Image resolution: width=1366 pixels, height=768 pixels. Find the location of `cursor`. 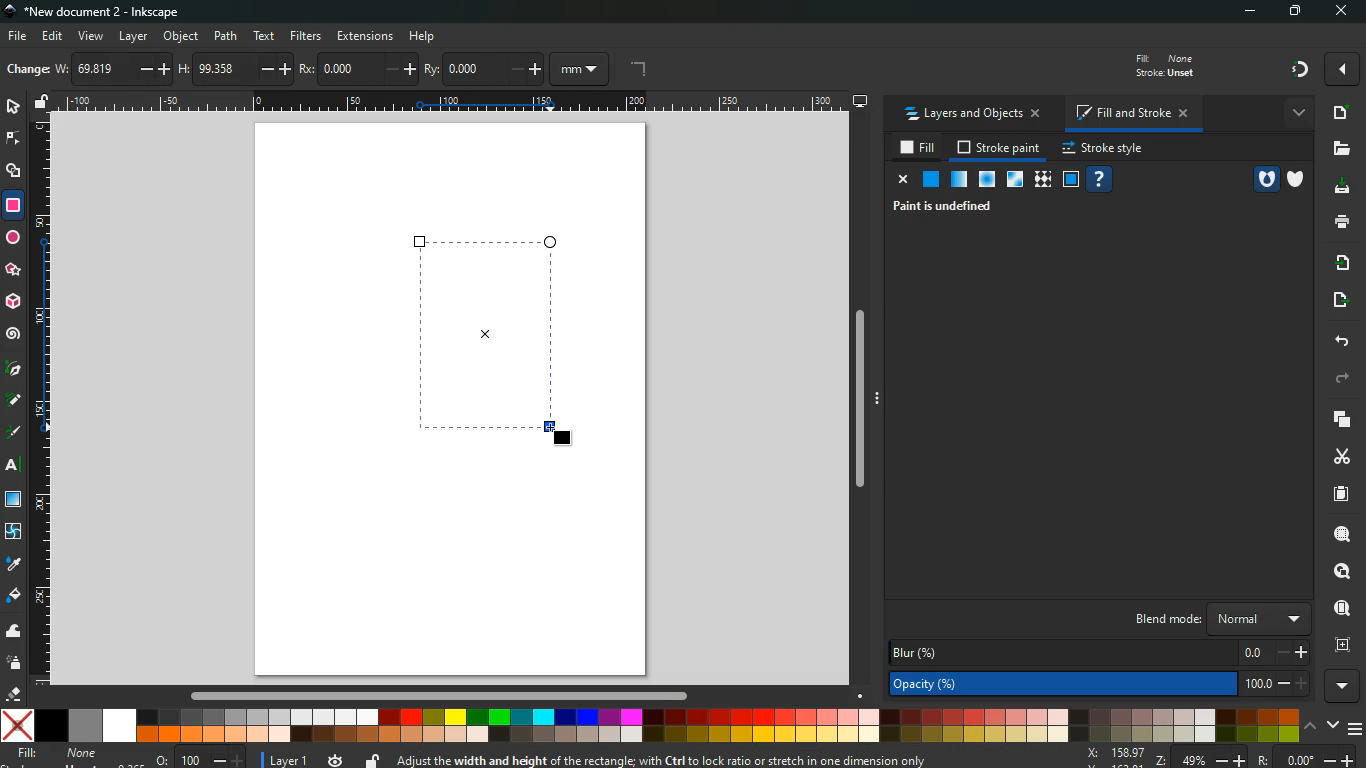

cursor is located at coordinates (547, 427).